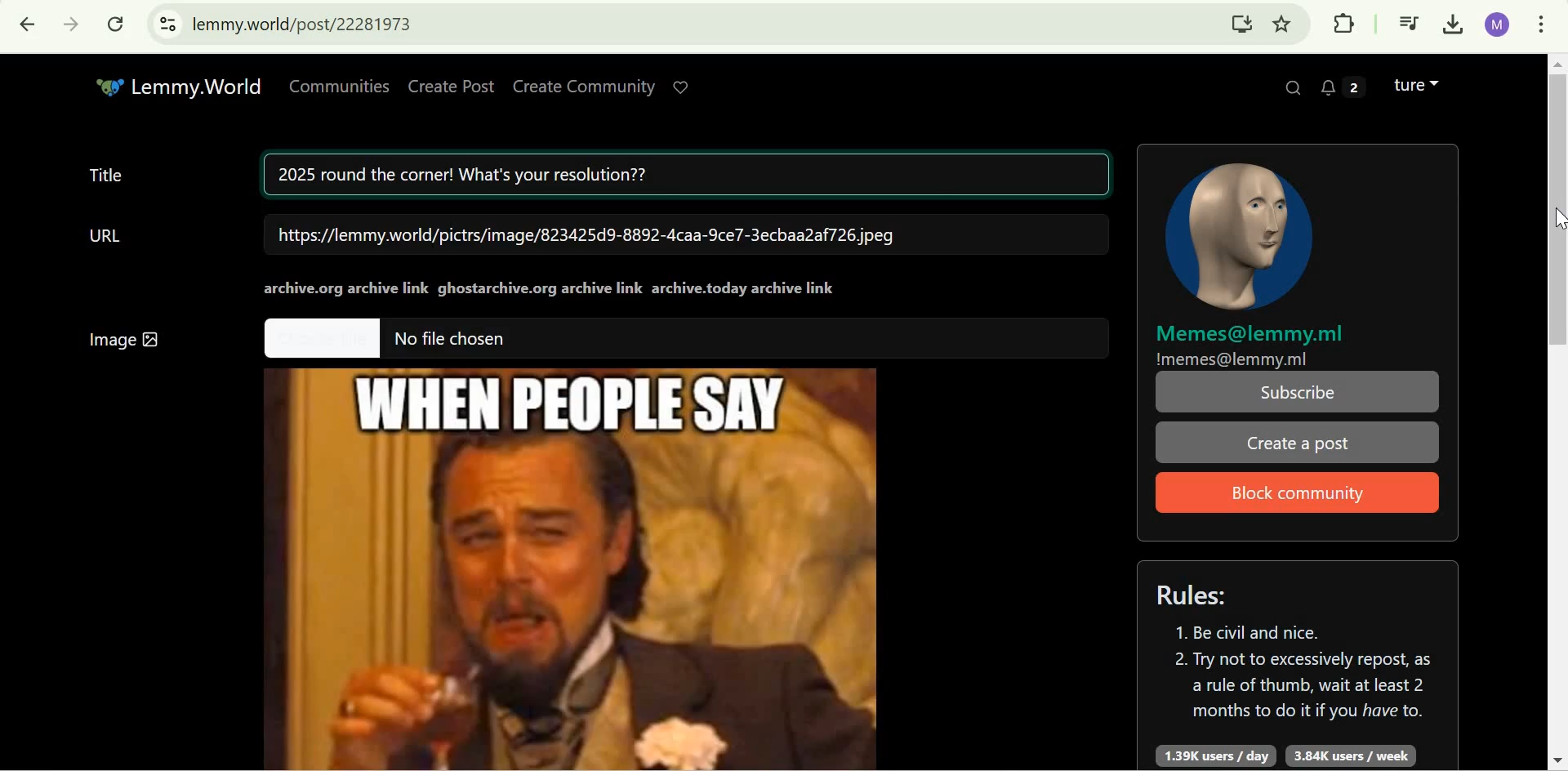 This screenshot has height=771, width=1568. What do you see at coordinates (690, 176) in the screenshot?
I see `2025 round the corner! What's your resolution??` at bounding box center [690, 176].